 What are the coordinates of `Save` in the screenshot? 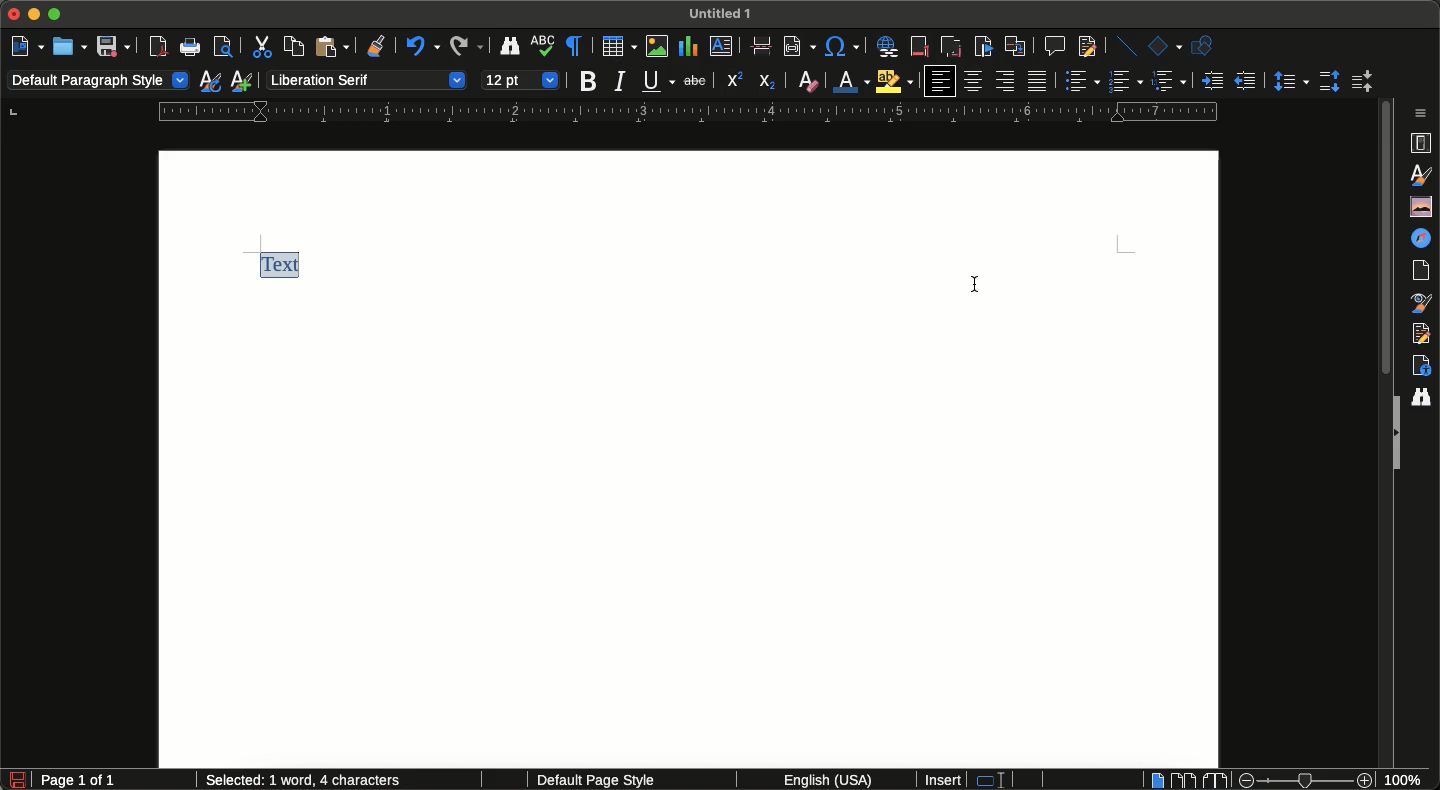 It's located at (113, 46).